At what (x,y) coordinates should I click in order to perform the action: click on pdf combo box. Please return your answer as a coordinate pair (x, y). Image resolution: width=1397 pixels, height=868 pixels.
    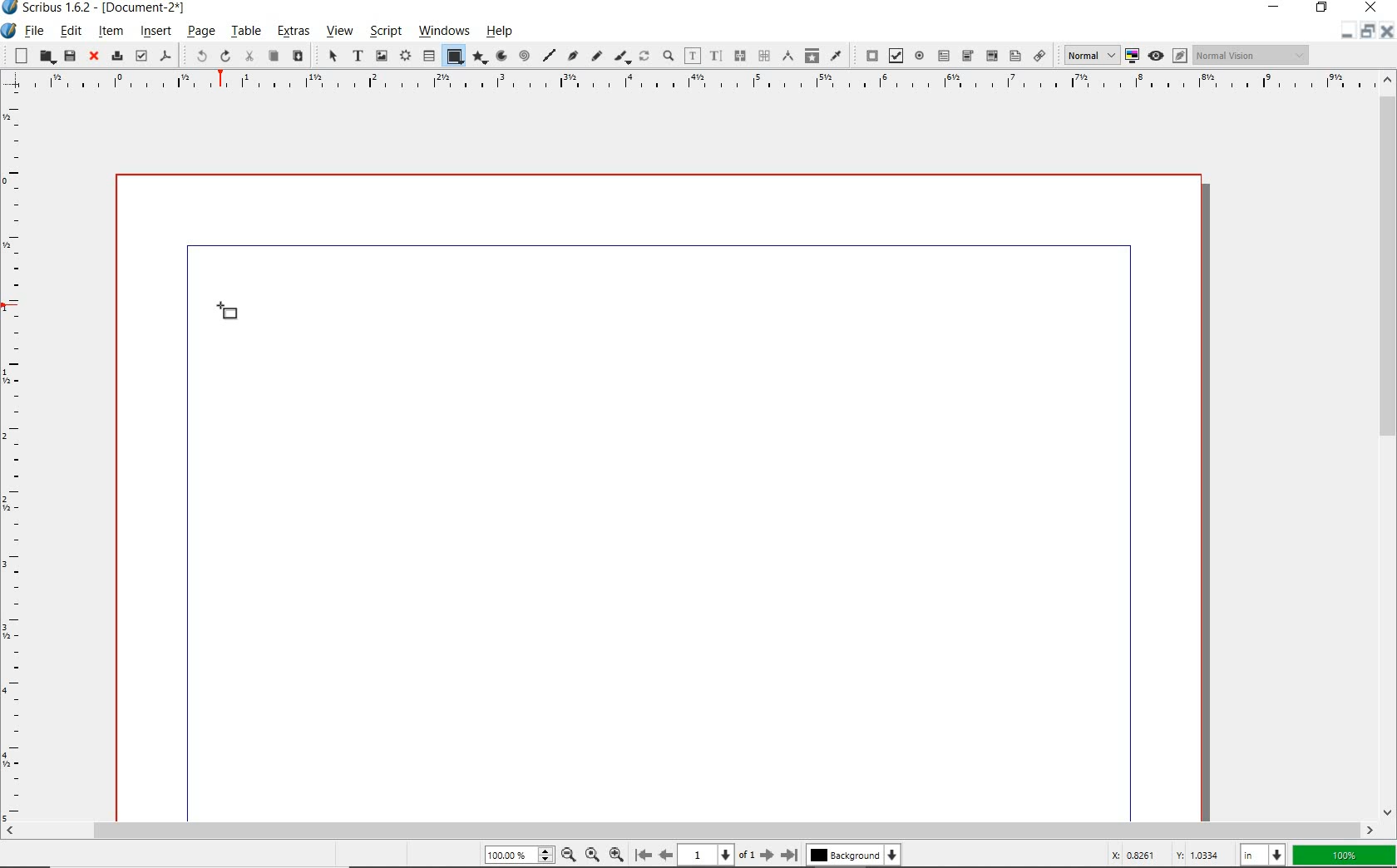
    Looking at the image, I should click on (967, 57).